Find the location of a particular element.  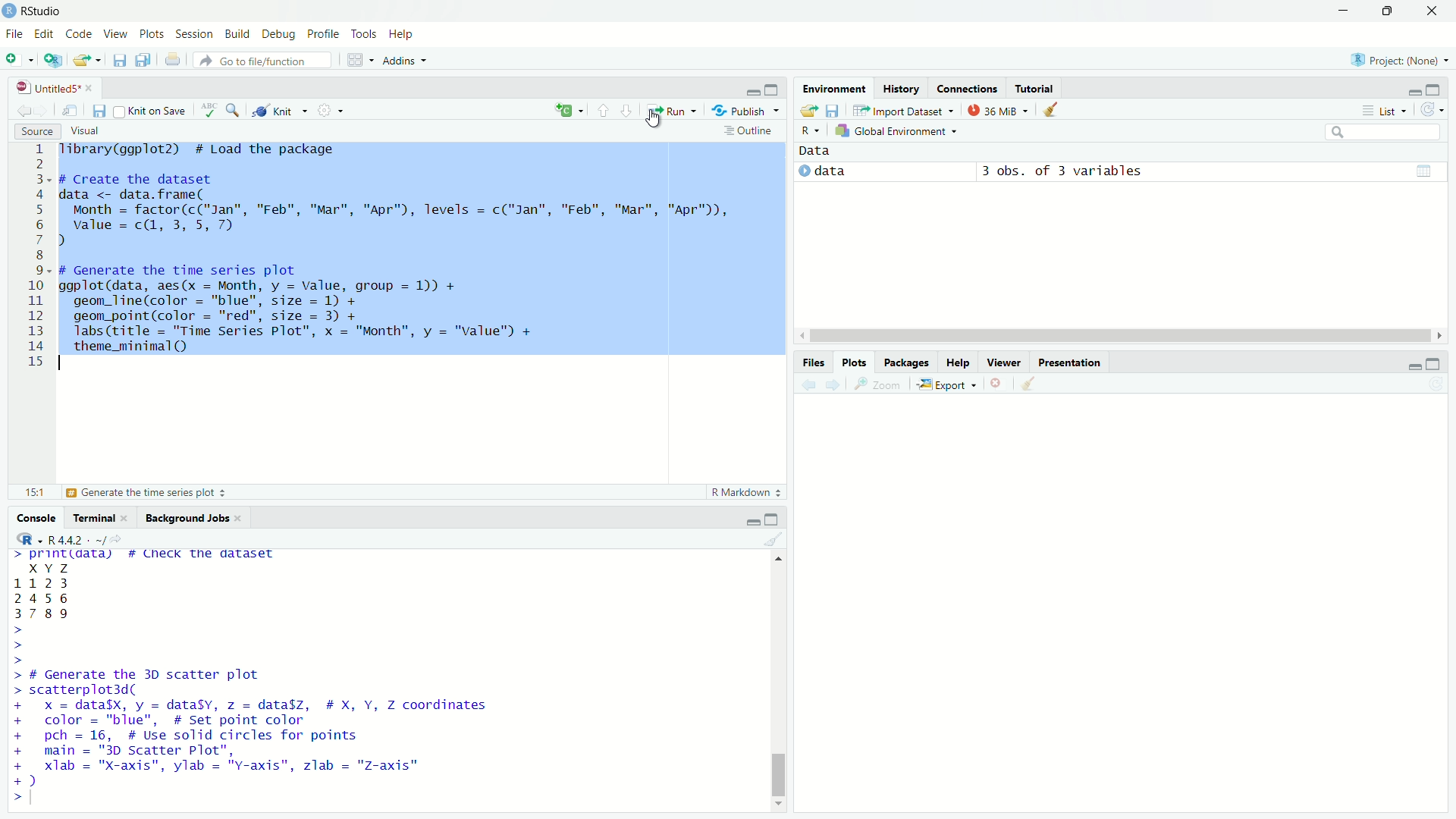

maximize is located at coordinates (776, 86).